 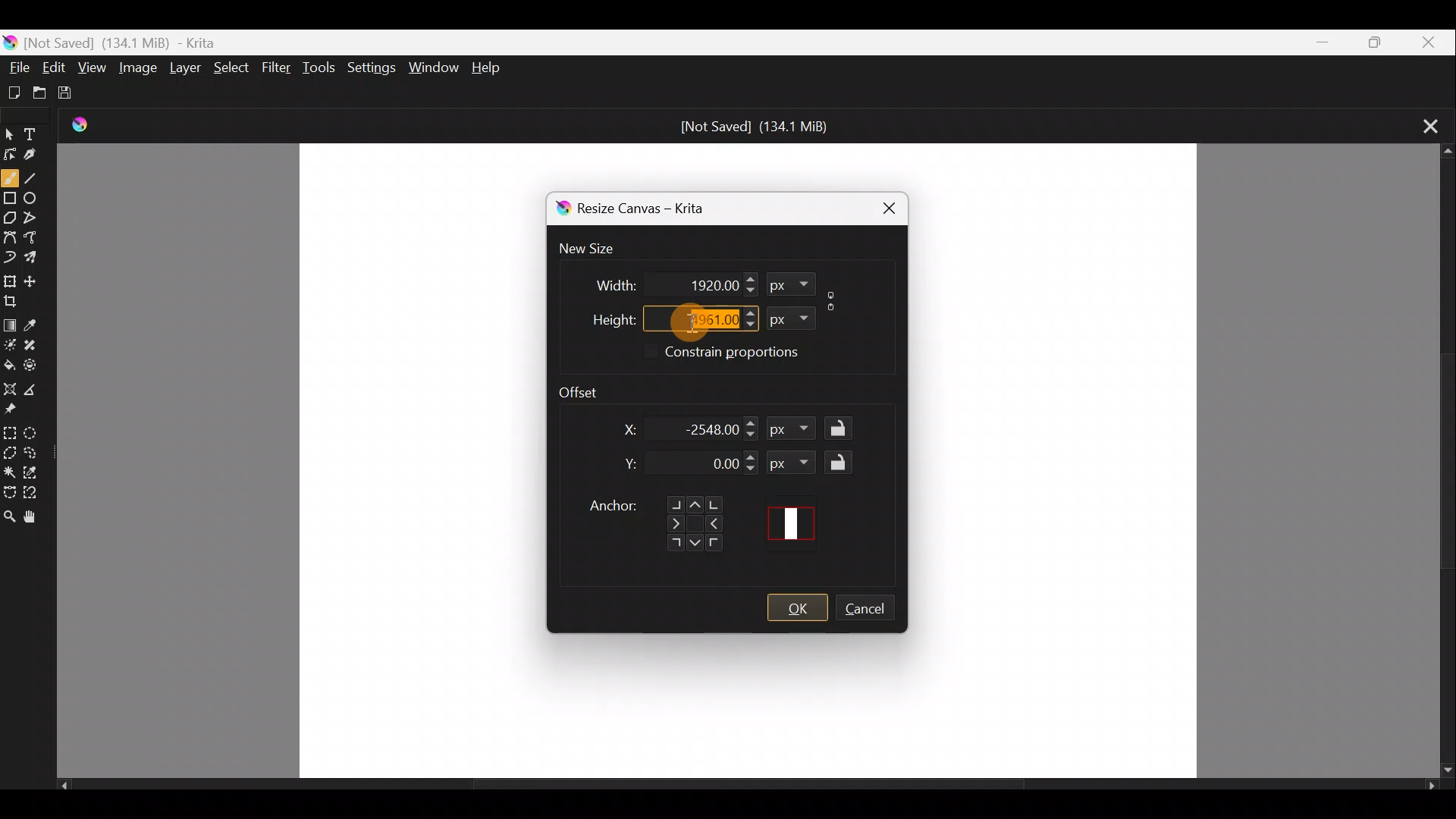 What do you see at coordinates (278, 72) in the screenshot?
I see `Filter` at bounding box center [278, 72].